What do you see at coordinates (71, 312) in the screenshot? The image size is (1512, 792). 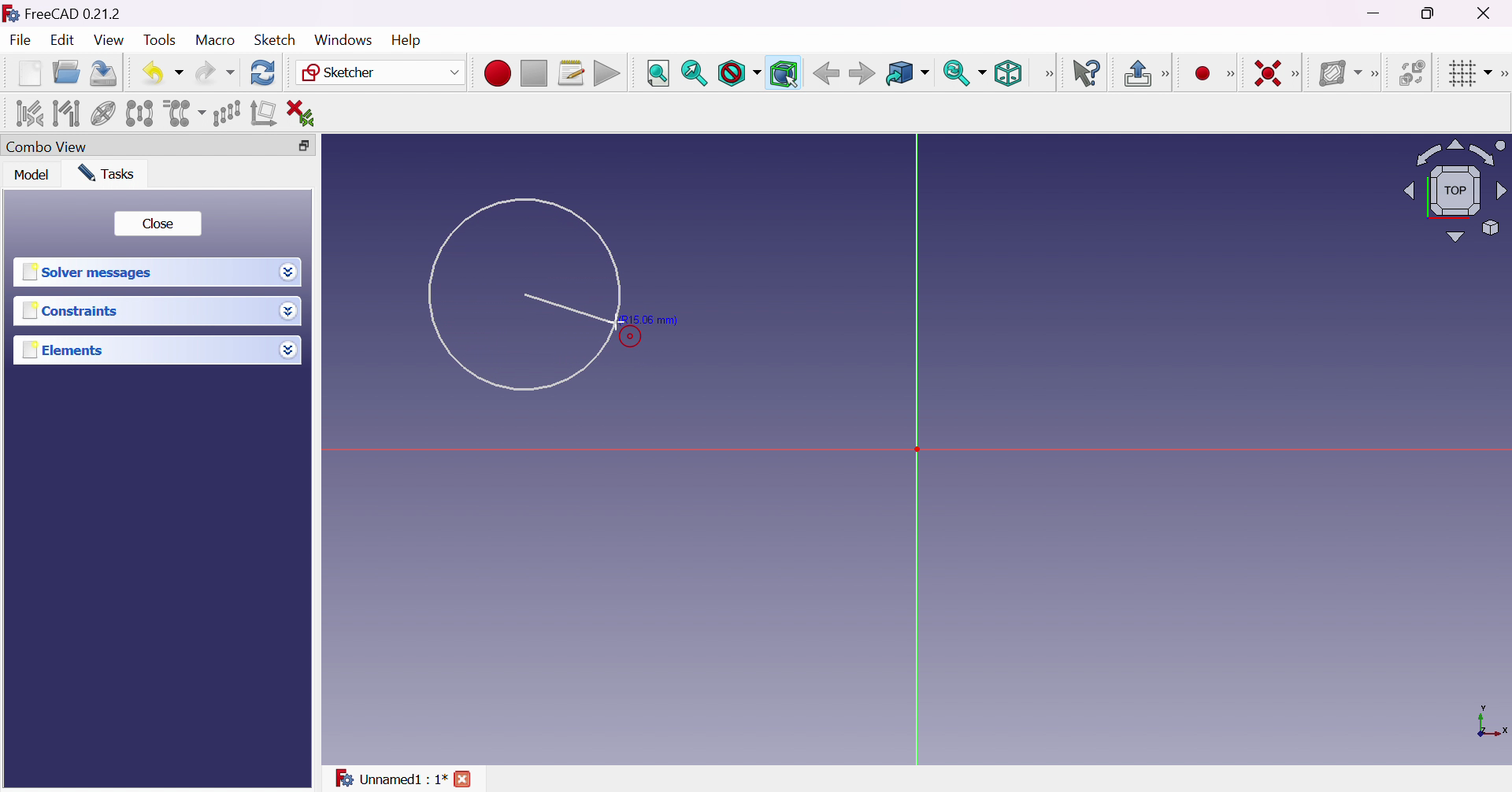 I see `Constraints` at bounding box center [71, 312].